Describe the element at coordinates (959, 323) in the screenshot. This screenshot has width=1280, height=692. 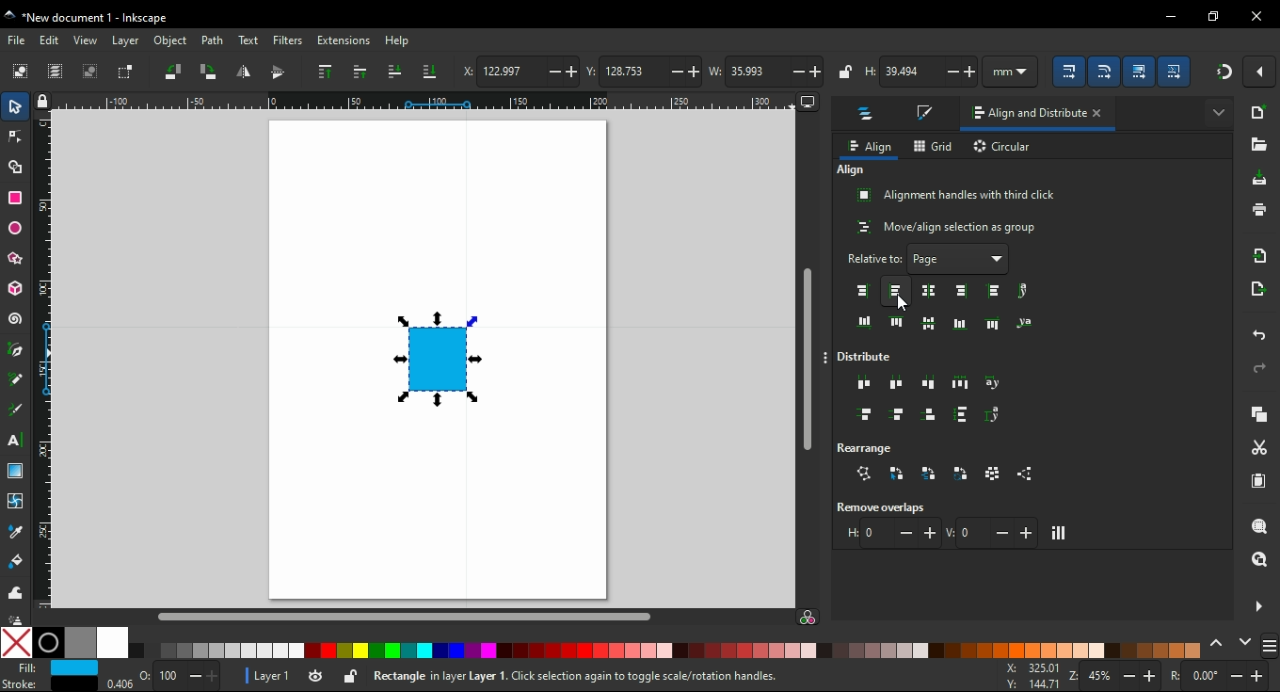
I see `align bottom edges` at that location.